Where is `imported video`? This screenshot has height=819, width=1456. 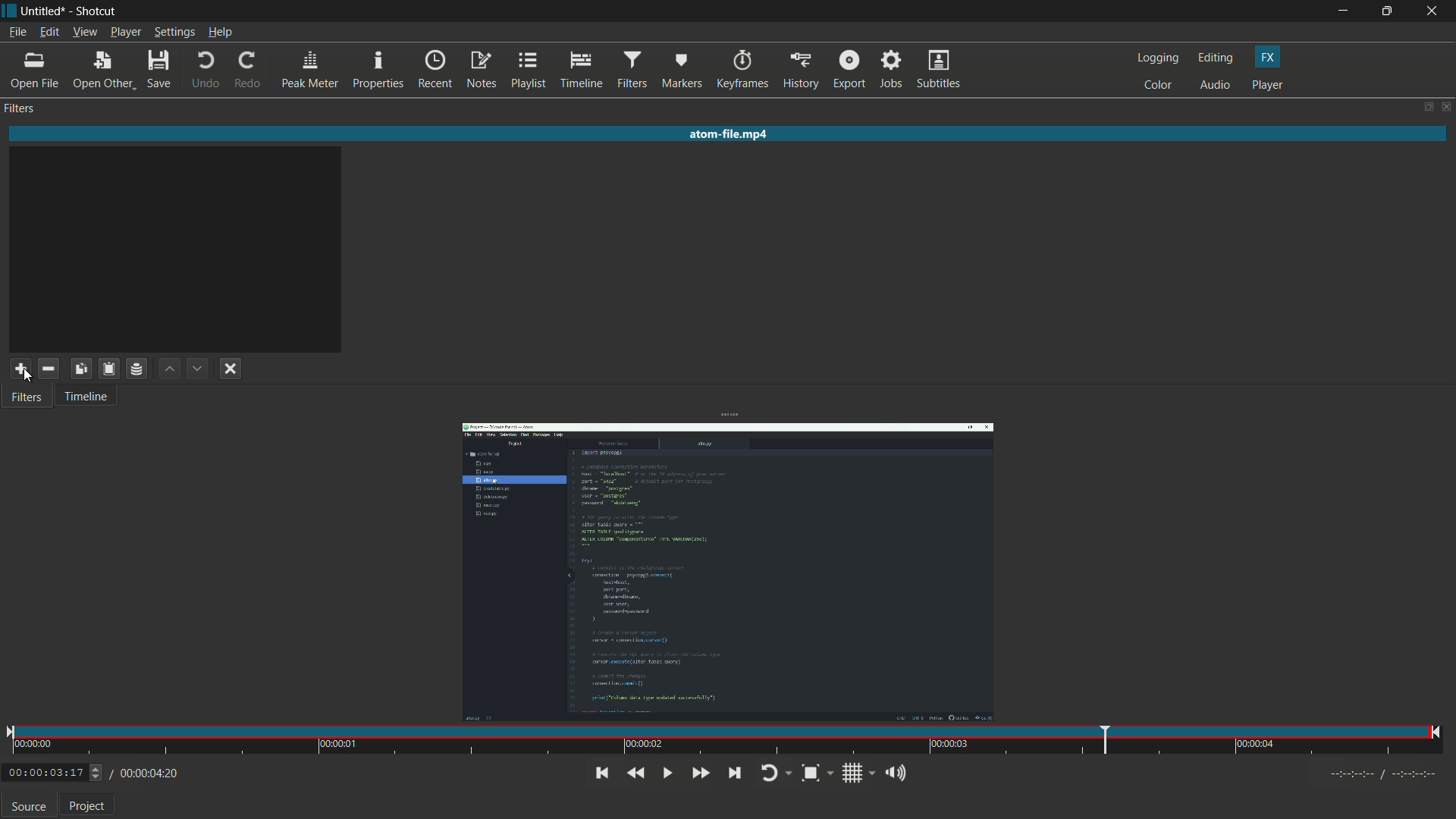
imported video is located at coordinates (727, 573).